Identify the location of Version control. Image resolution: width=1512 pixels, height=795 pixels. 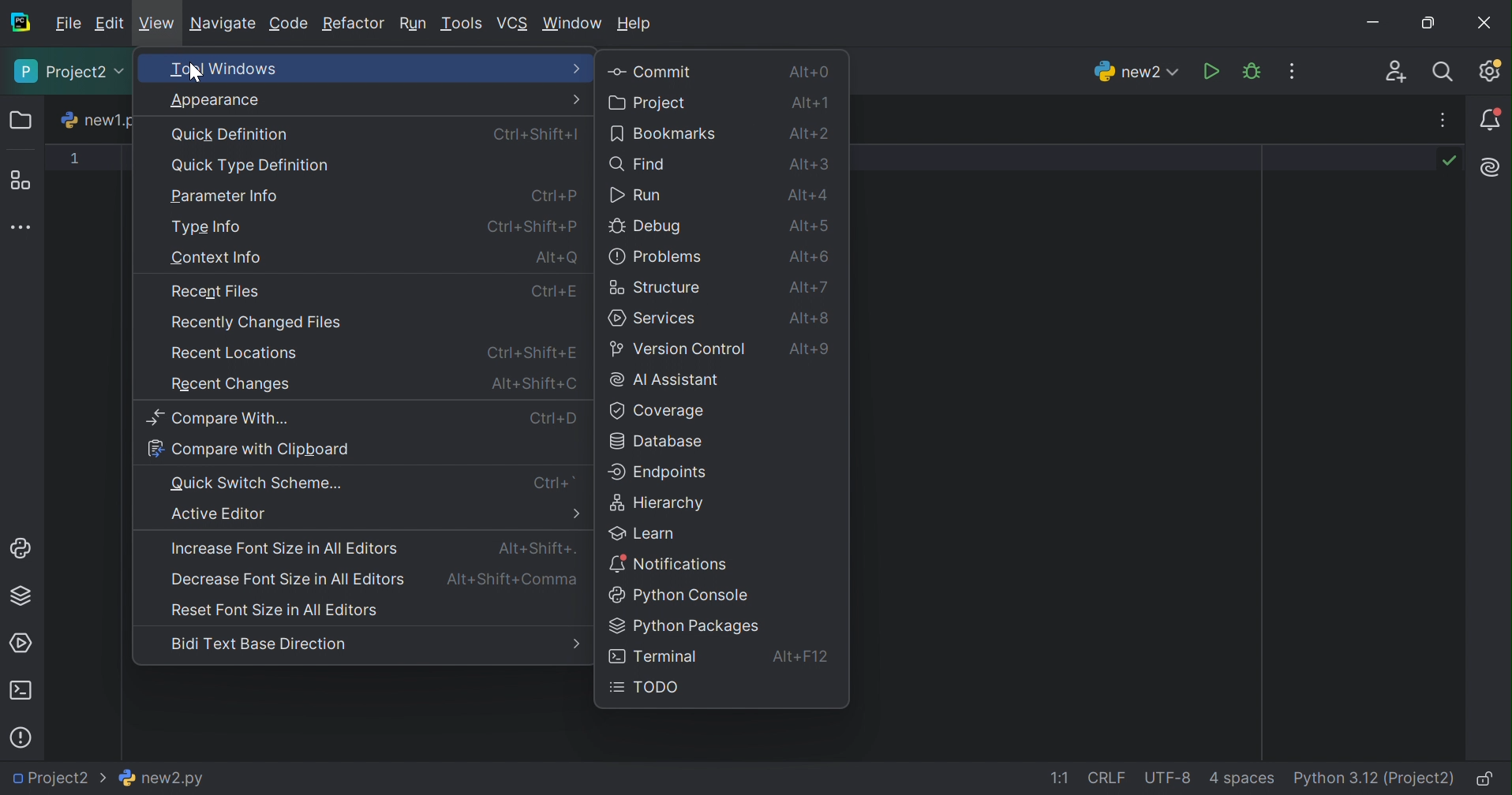
(680, 349).